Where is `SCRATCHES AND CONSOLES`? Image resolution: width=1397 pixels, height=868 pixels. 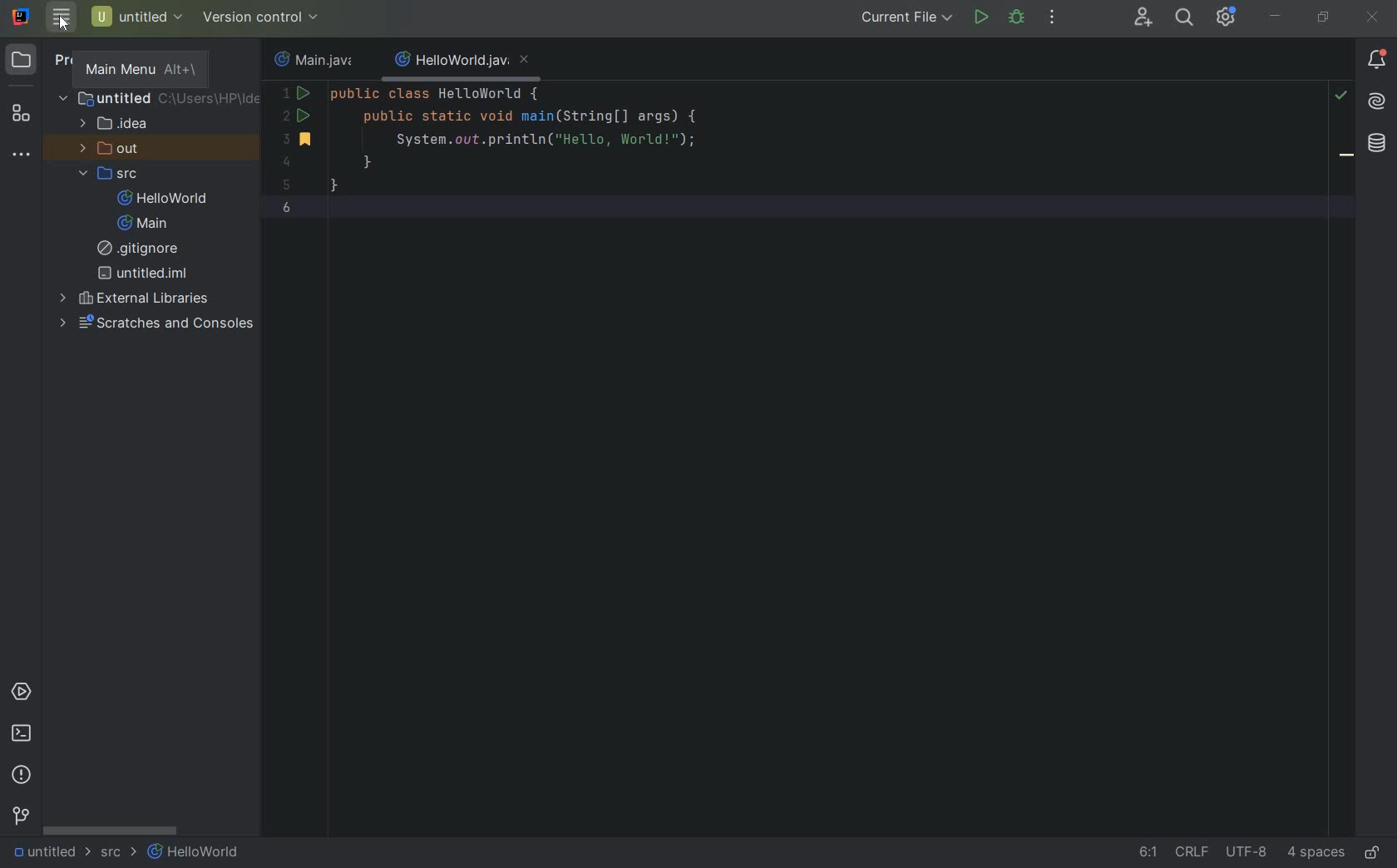
SCRATCHES AND CONSOLES is located at coordinates (160, 324).